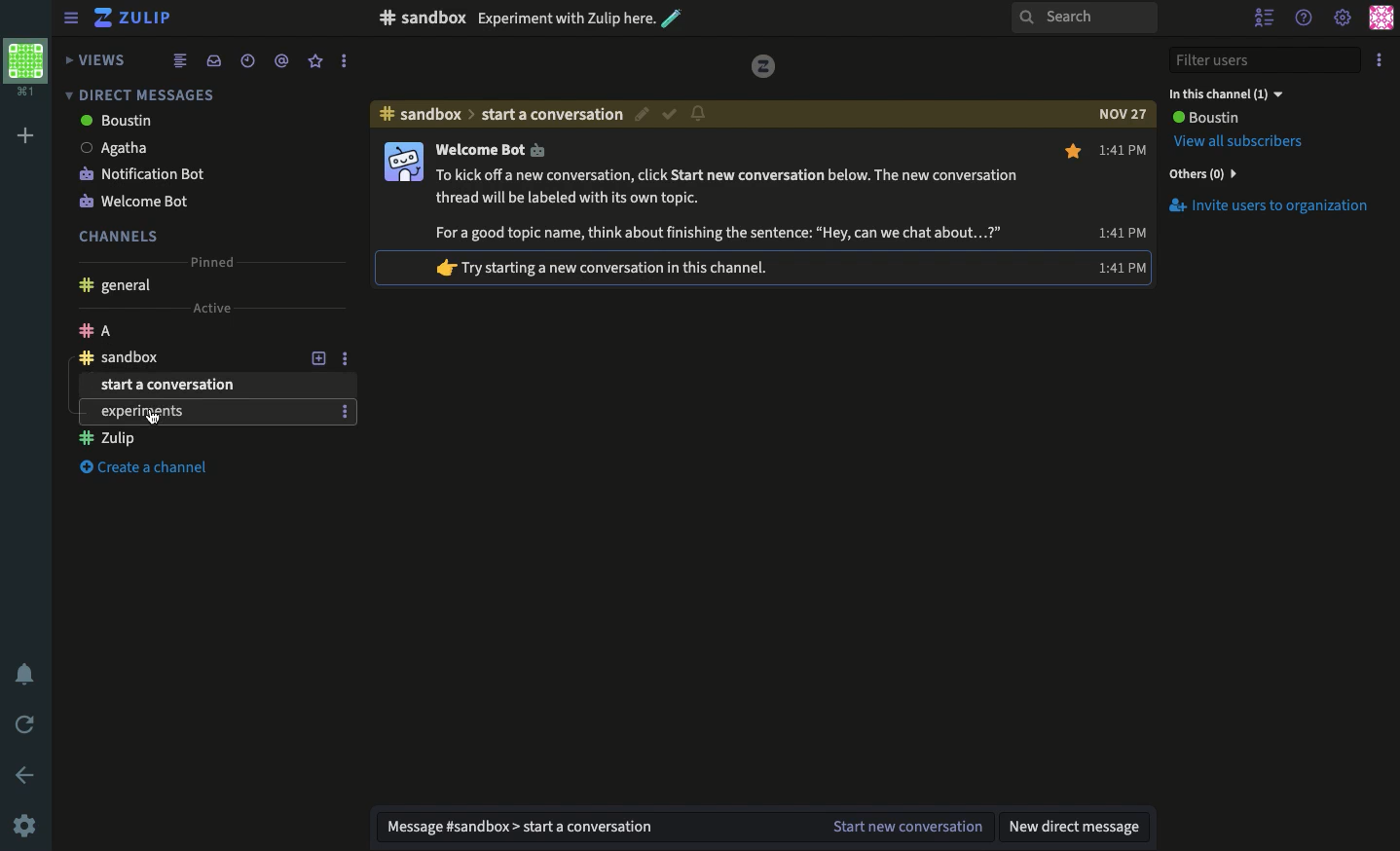 This screenshot has width=1400, height=851. I want to click on Options, so click(345, 330).